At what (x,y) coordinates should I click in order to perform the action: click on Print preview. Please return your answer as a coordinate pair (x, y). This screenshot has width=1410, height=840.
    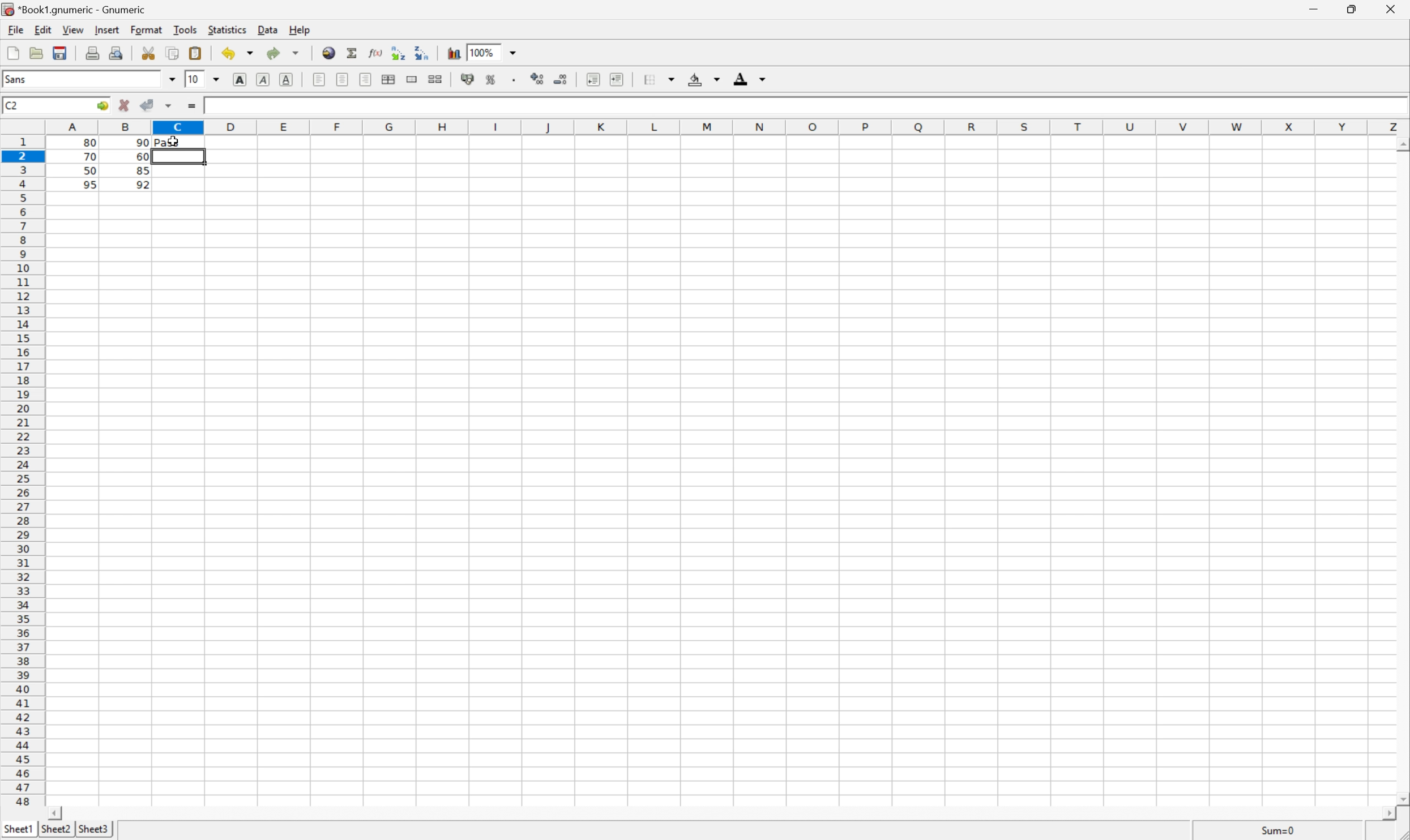
    Looking at the image, I should click on (117, 53).